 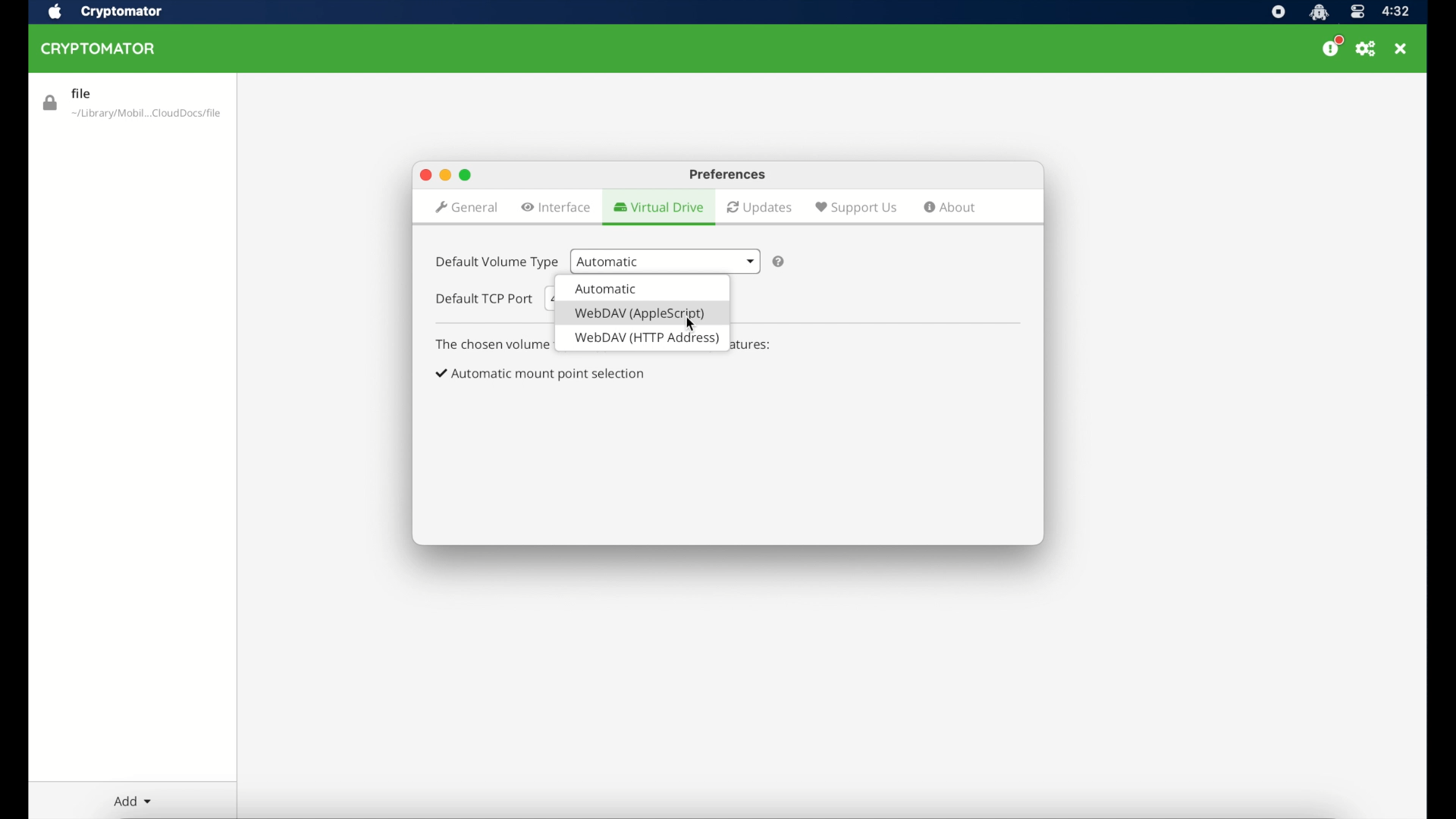 I want to click on cursor, so click(x=692, y=324).